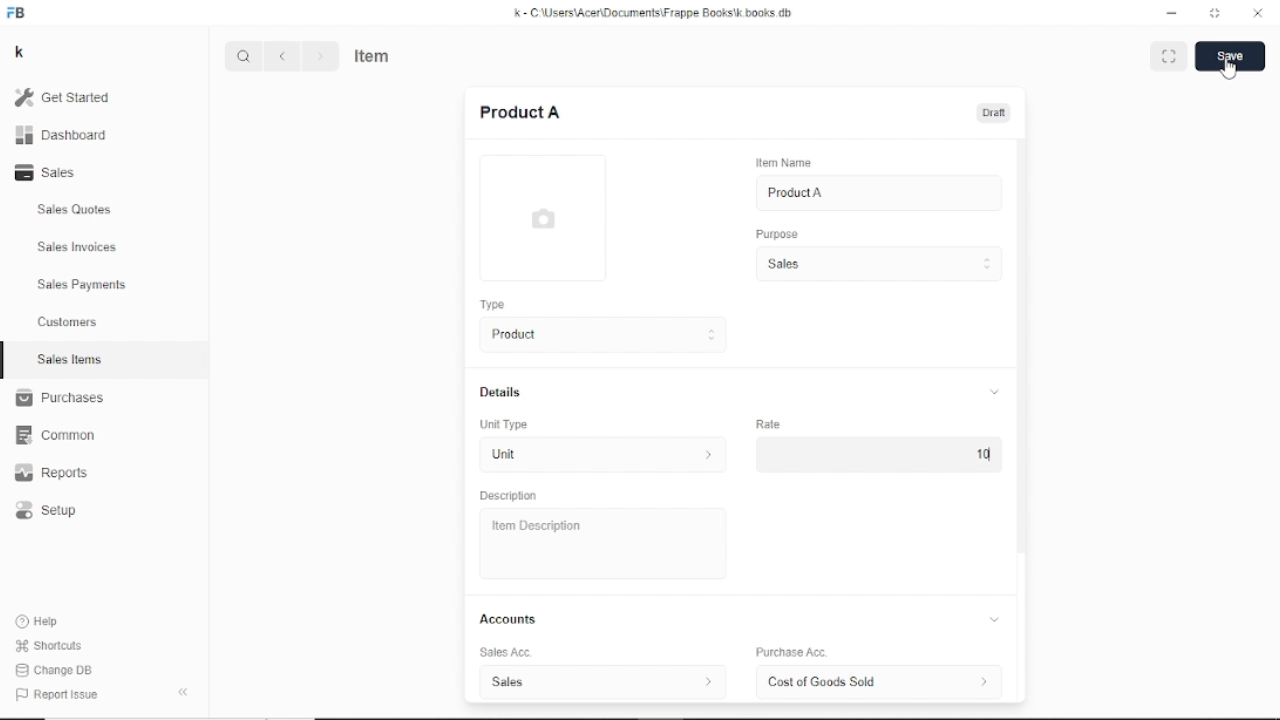 The width and height of the screenshot is (1280, 720). What do you see at coordinates (57, 671) in the screenshot?
I see `Change DB` at bounding box center [57, 671].